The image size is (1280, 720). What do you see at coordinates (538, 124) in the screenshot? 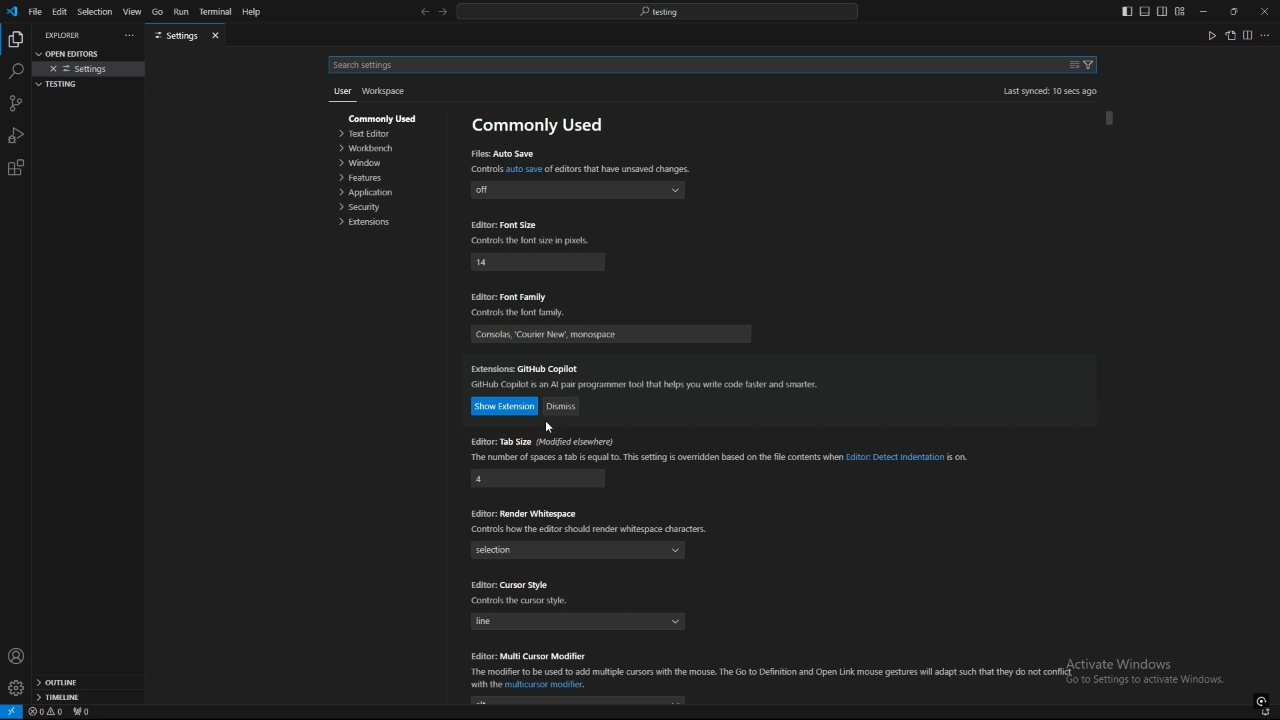
I see `commonly used` at bounding box center [538, 124].